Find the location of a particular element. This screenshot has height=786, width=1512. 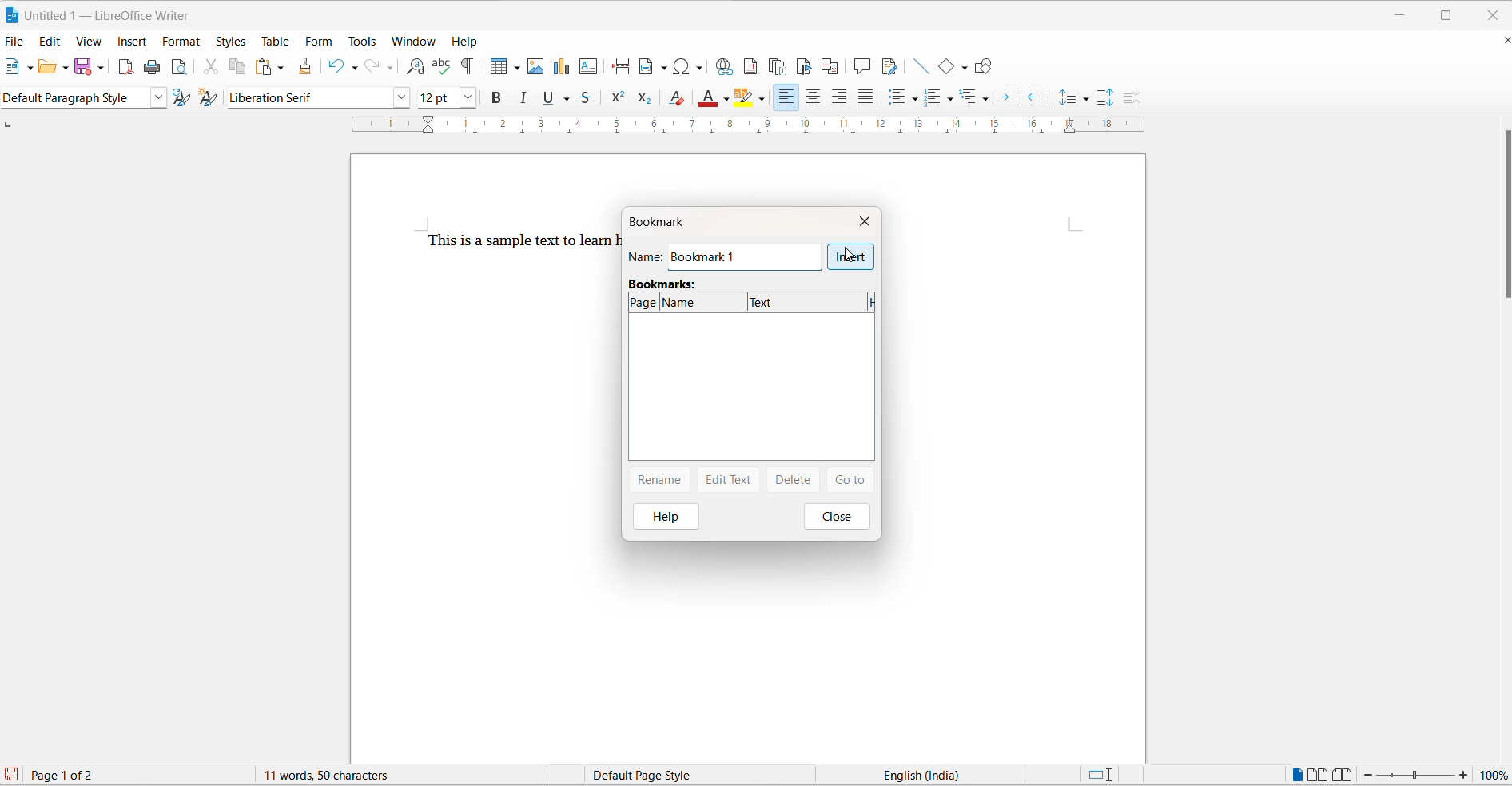

add images is located at coordinates (535, 68).